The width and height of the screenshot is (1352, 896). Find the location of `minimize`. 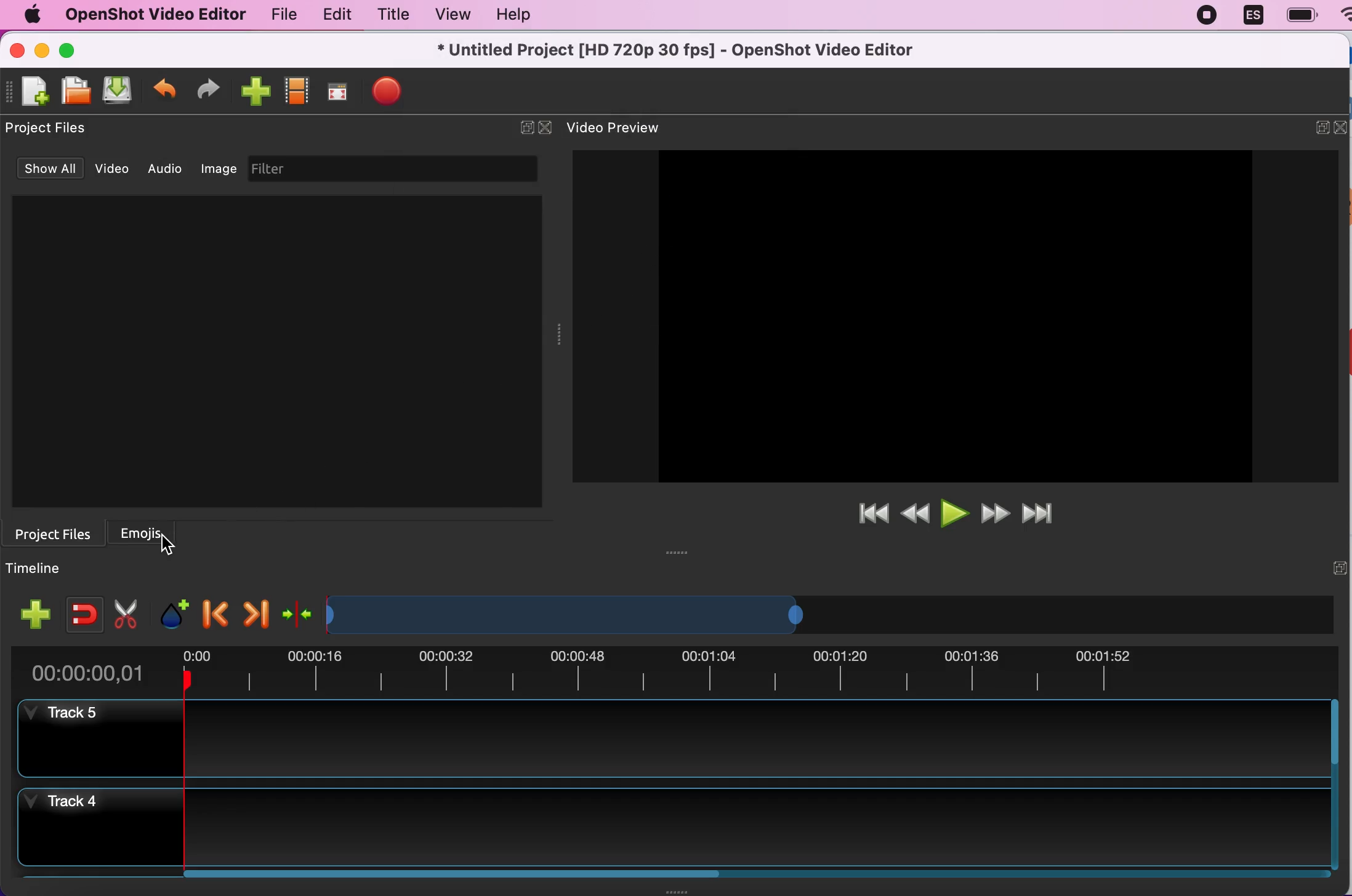

minimize is located at coordinates (43, 52).